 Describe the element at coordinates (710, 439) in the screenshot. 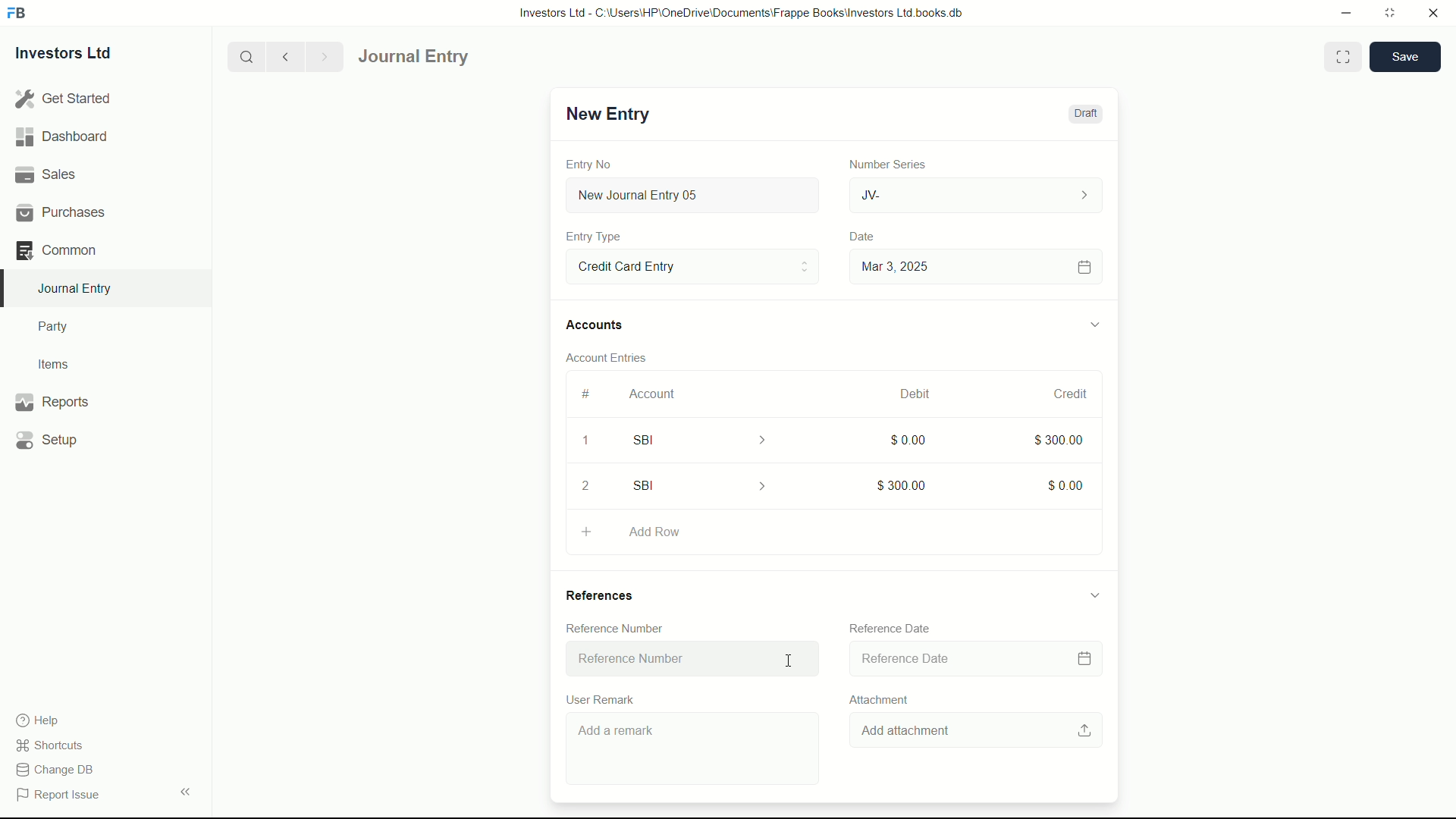

I see `SBI` at that location.